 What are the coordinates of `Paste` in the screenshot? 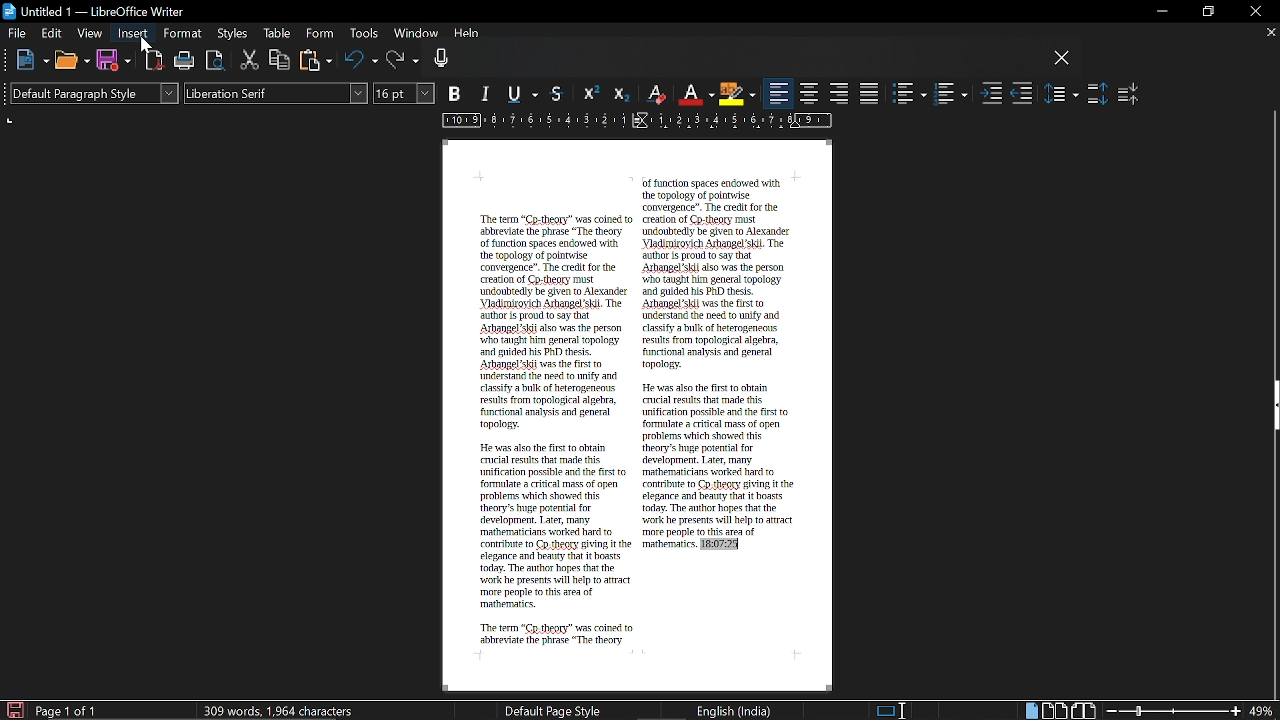 It's located at (316, 60).